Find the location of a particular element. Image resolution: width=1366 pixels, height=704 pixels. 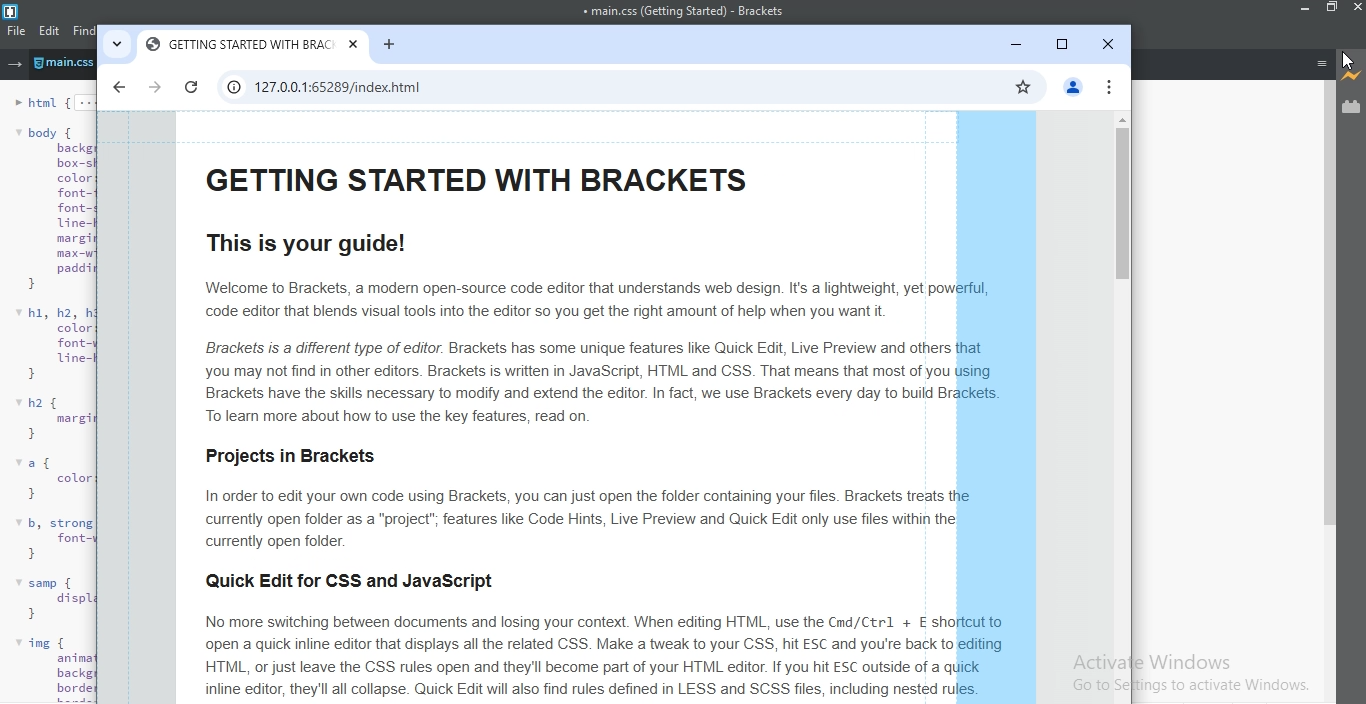

options is located at coordinates (1111, 88).